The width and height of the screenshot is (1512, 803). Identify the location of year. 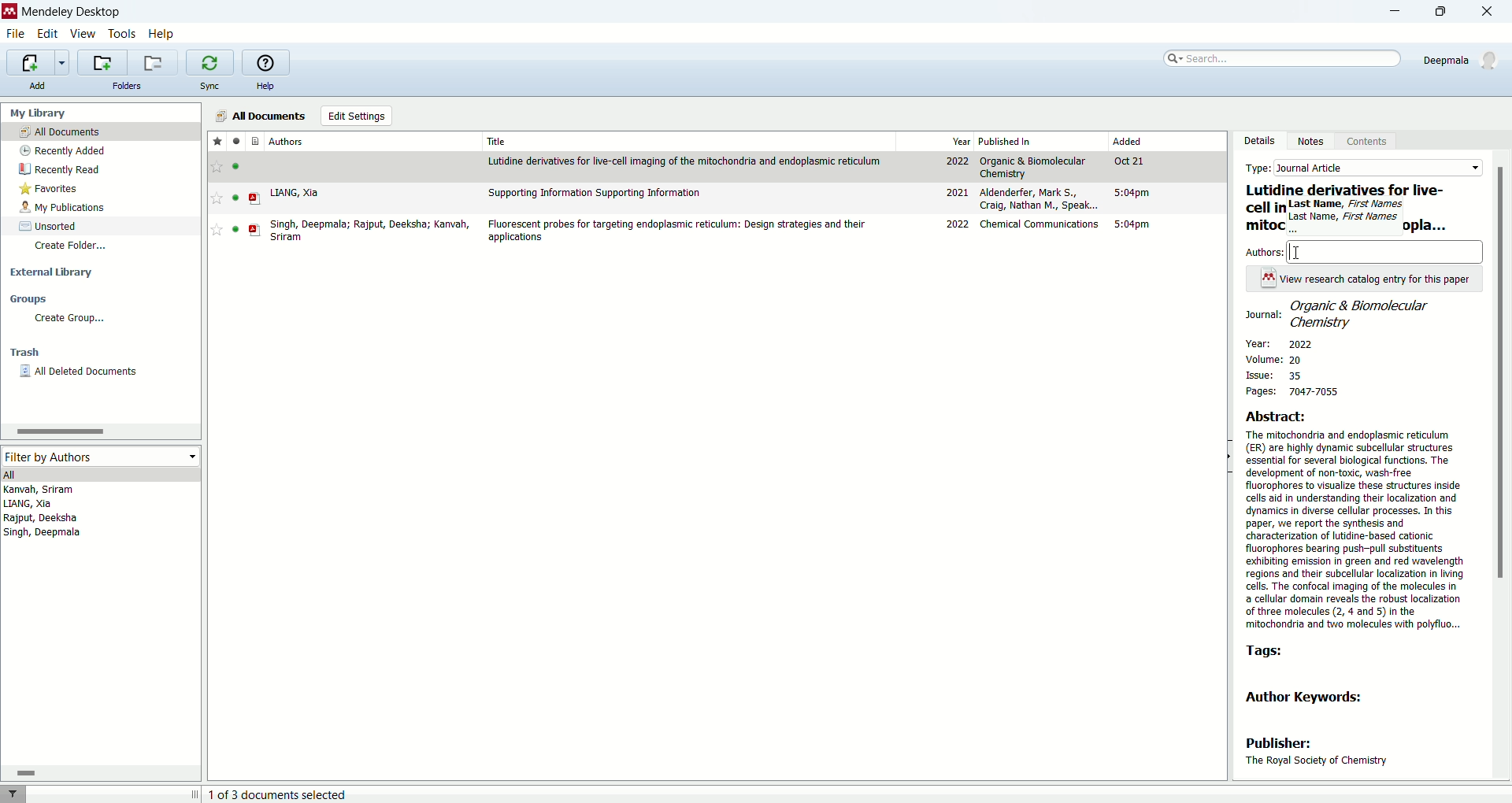
(958, 140).